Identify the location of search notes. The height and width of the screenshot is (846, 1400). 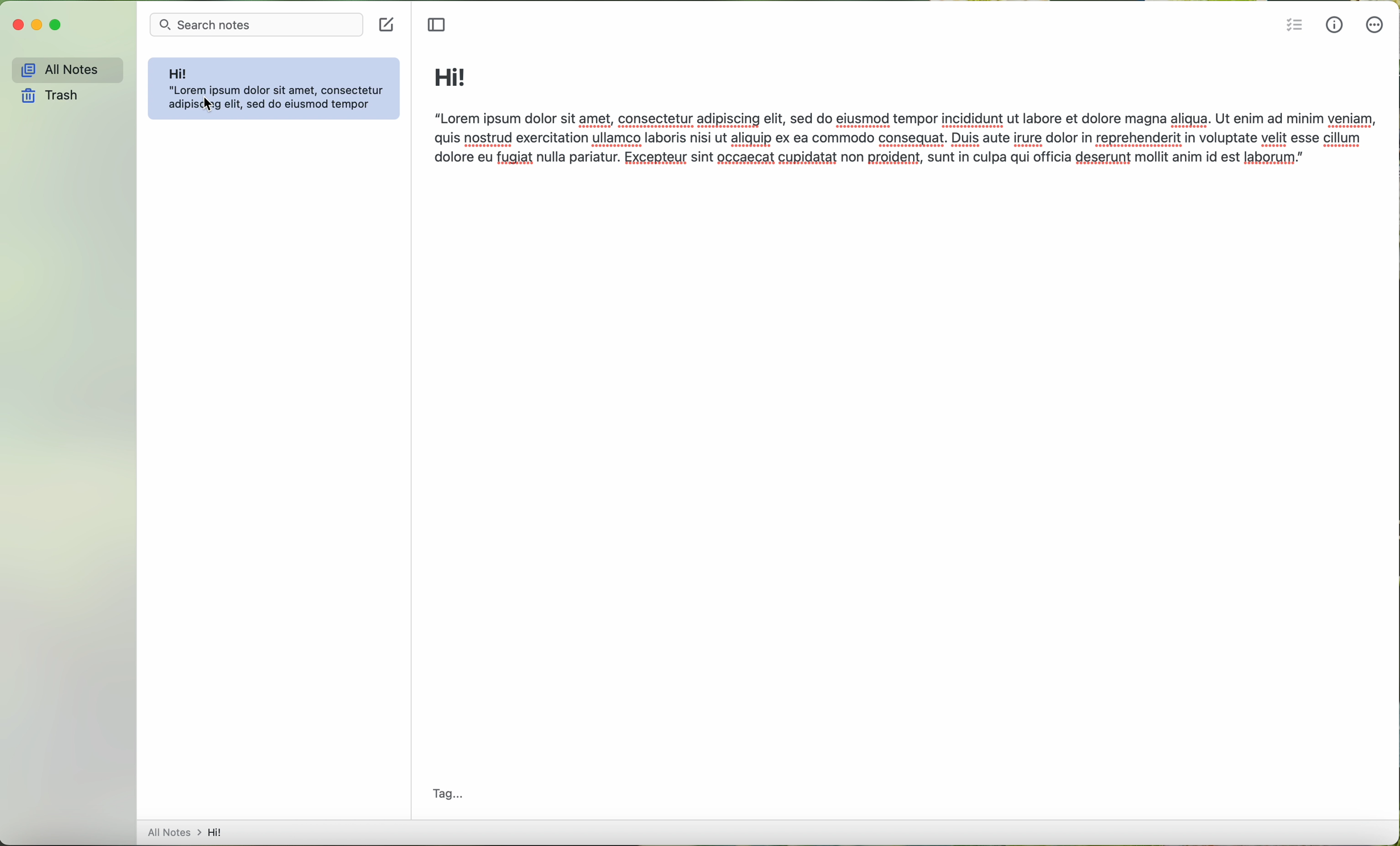
(258, 25).